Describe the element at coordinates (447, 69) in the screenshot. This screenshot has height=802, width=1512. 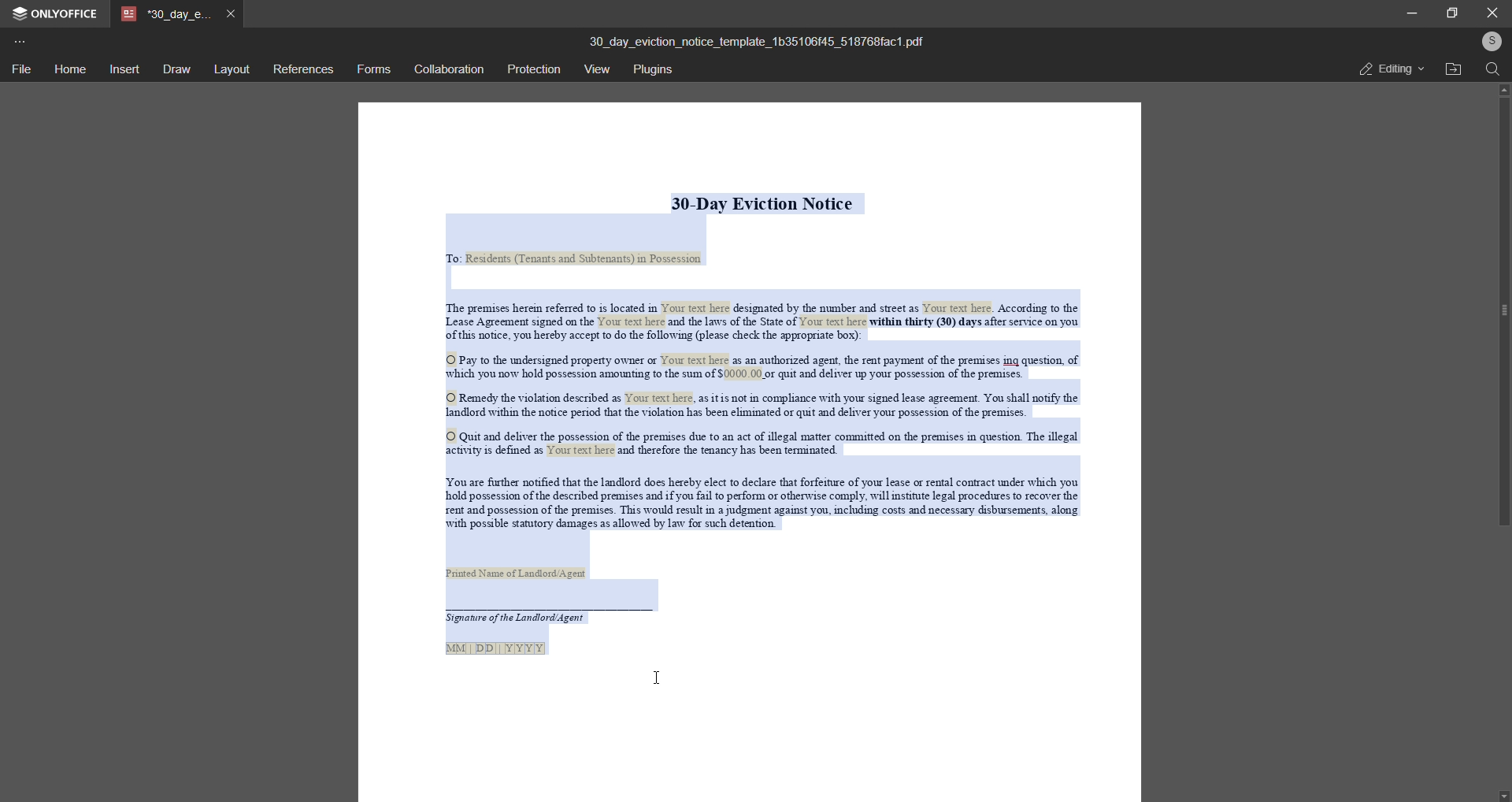
I see `collaboration` at that location.